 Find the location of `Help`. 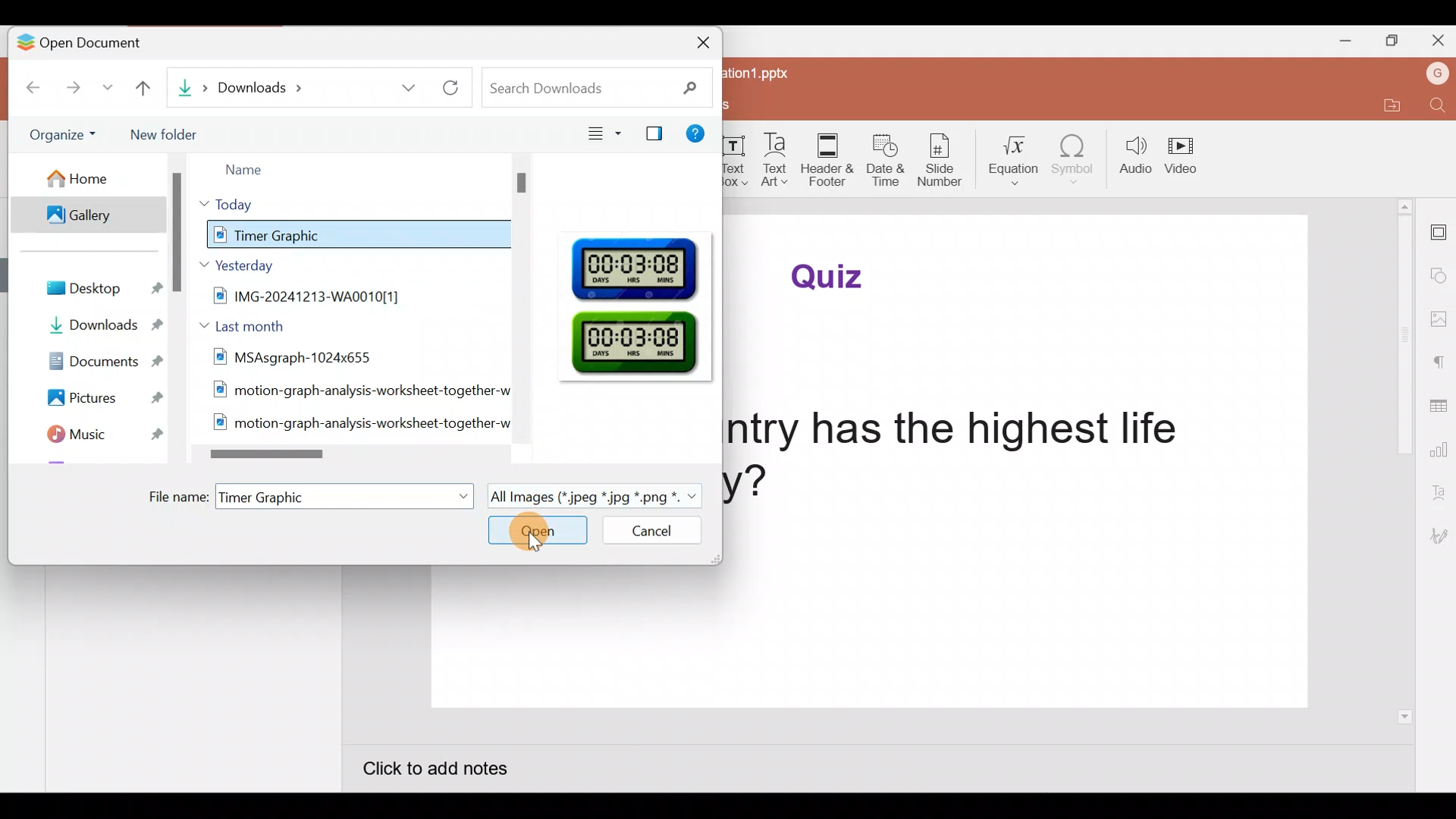

Help is located at coordinates (700, 136).